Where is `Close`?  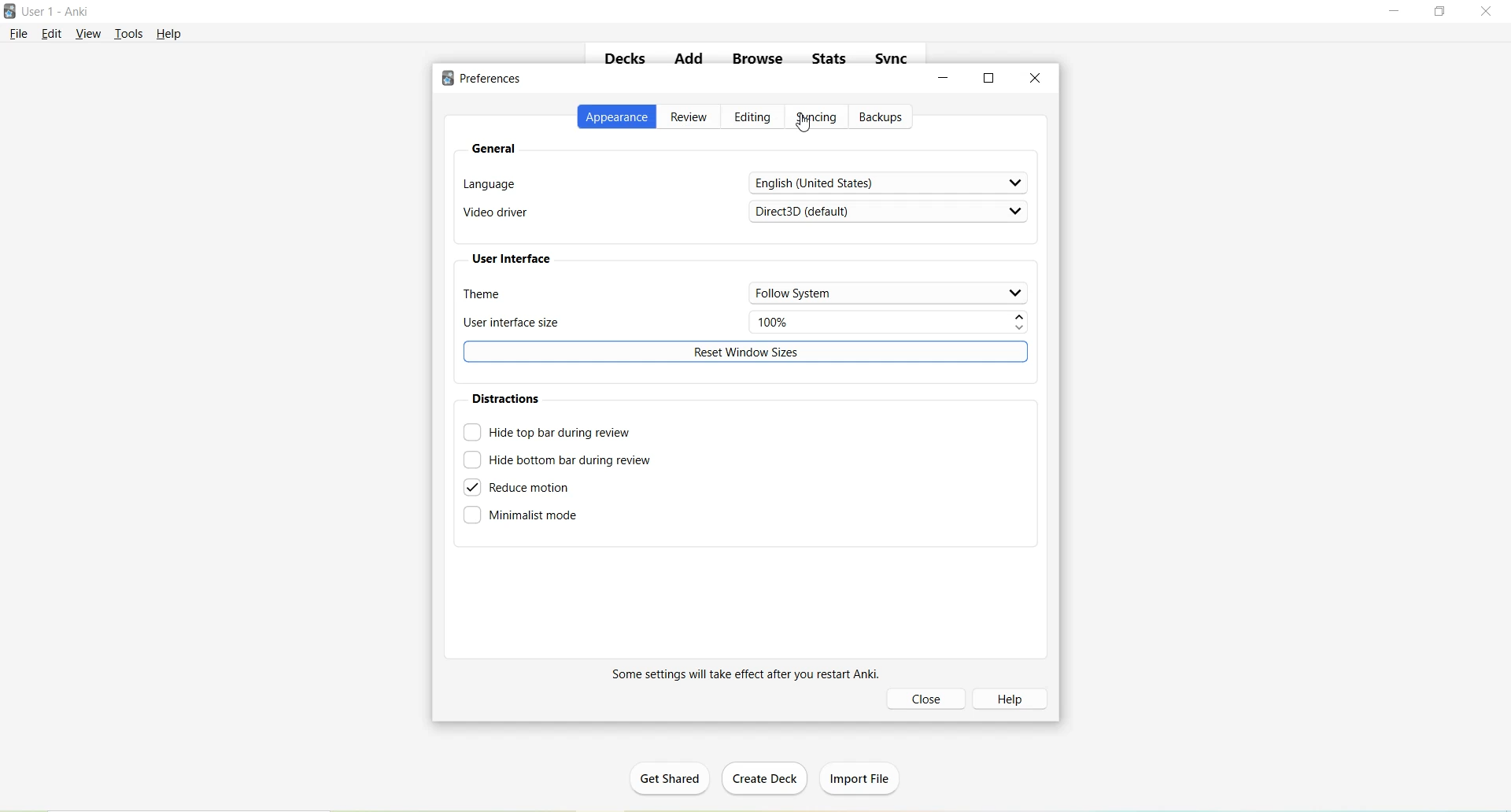 Close is located at coordinates (1490, 12).